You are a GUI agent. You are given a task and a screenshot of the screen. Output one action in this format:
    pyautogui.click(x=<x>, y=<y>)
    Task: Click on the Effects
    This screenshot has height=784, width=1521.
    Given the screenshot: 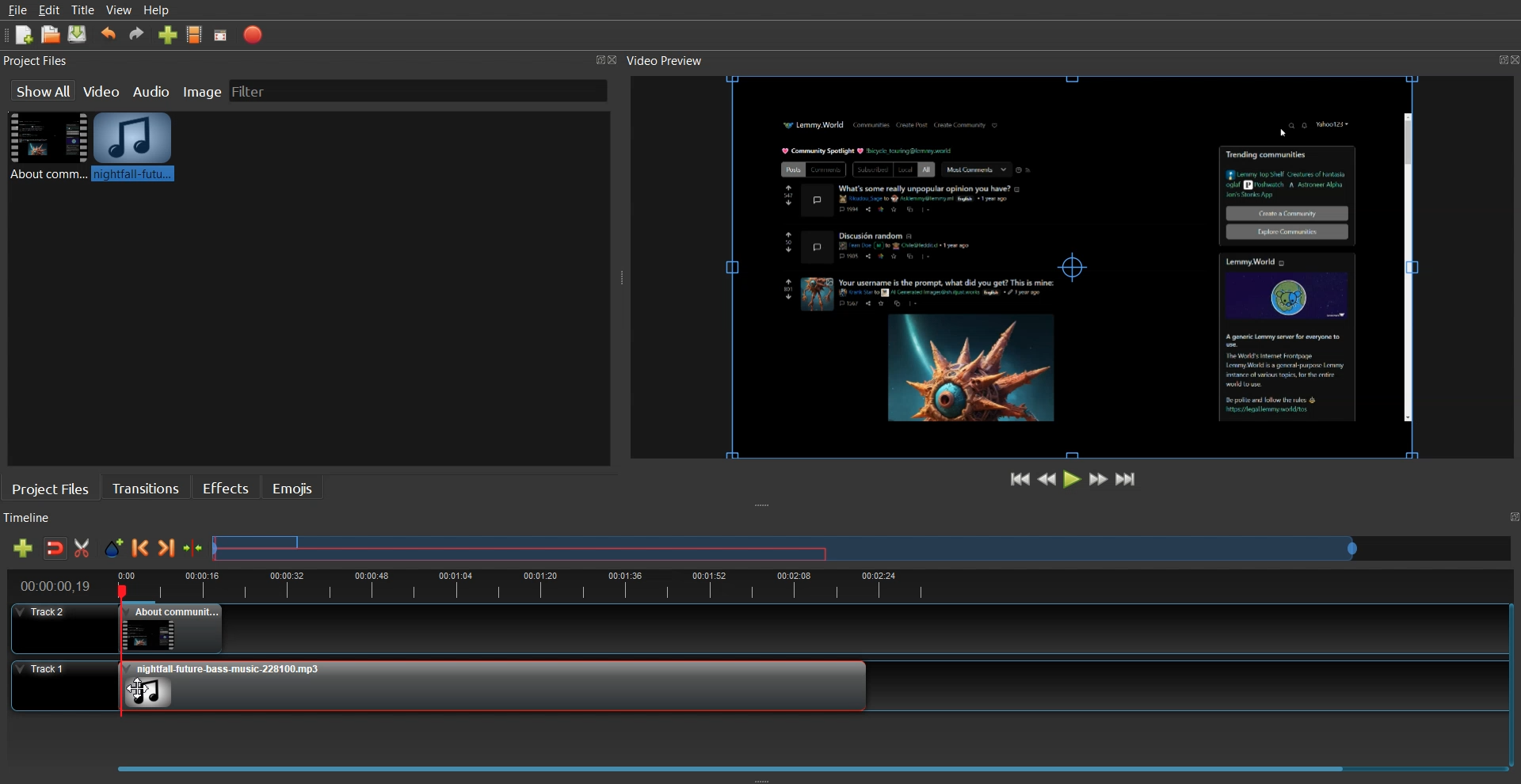 What is the action you would take?
    pyautogui.click(x=225, y=486)
    